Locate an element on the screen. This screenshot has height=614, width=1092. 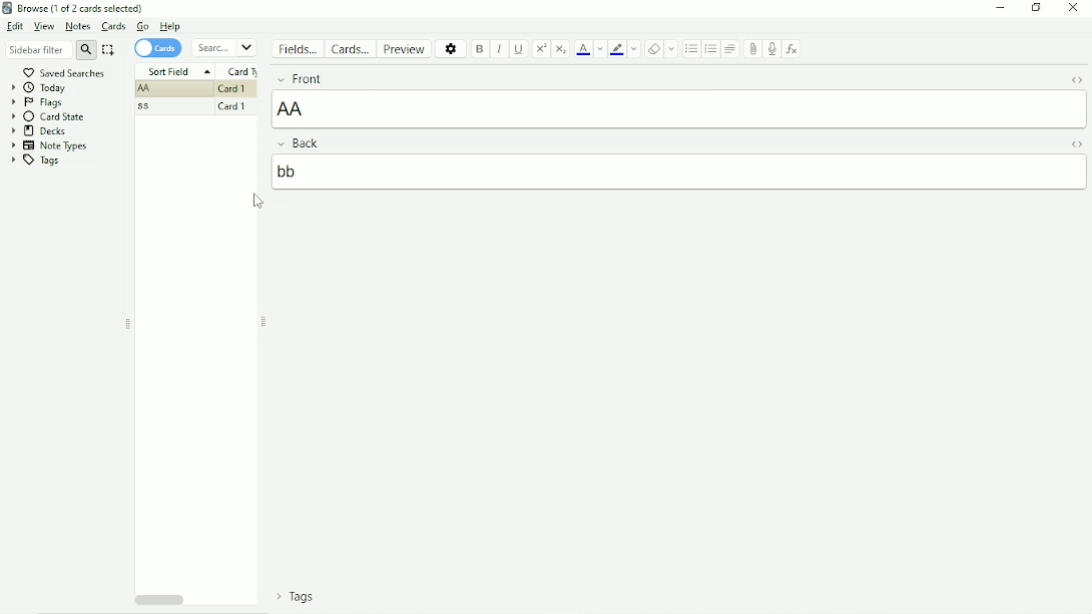
Ordered list is located at coordinates (712, 48).